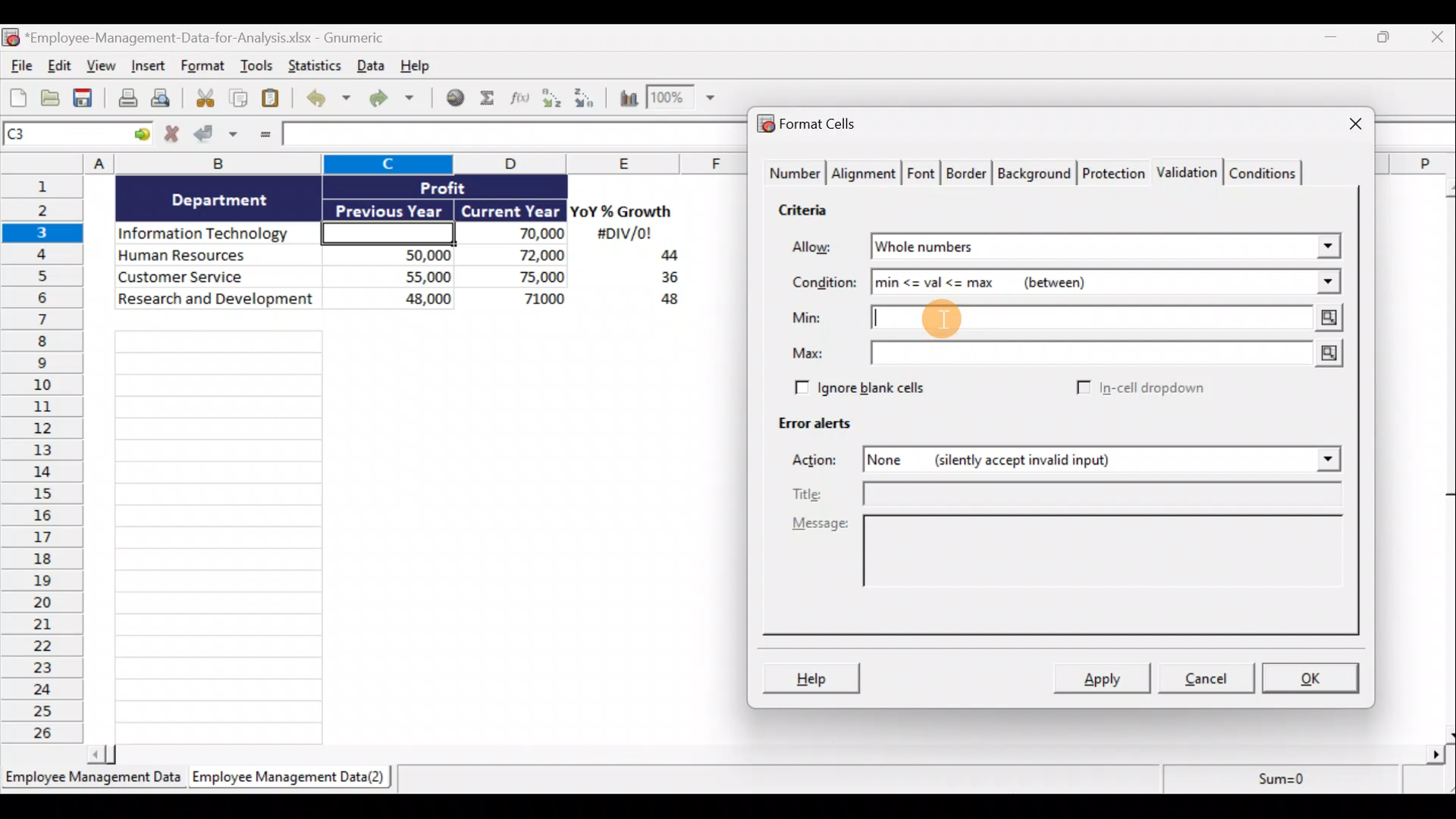  I want to click on Employee Management Data, so click(92, 777).